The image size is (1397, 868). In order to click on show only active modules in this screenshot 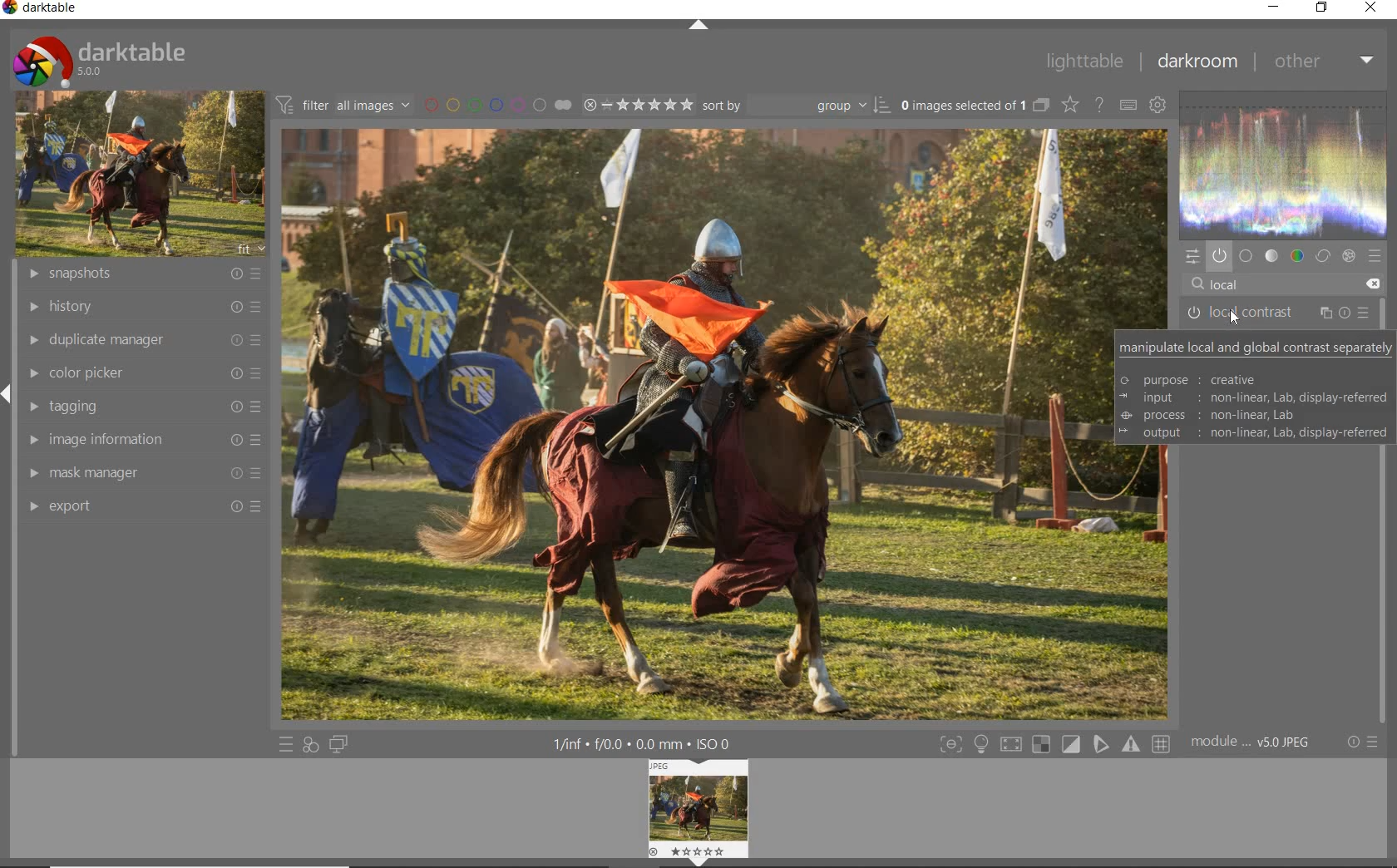, I will do `click(1219, 253)`.